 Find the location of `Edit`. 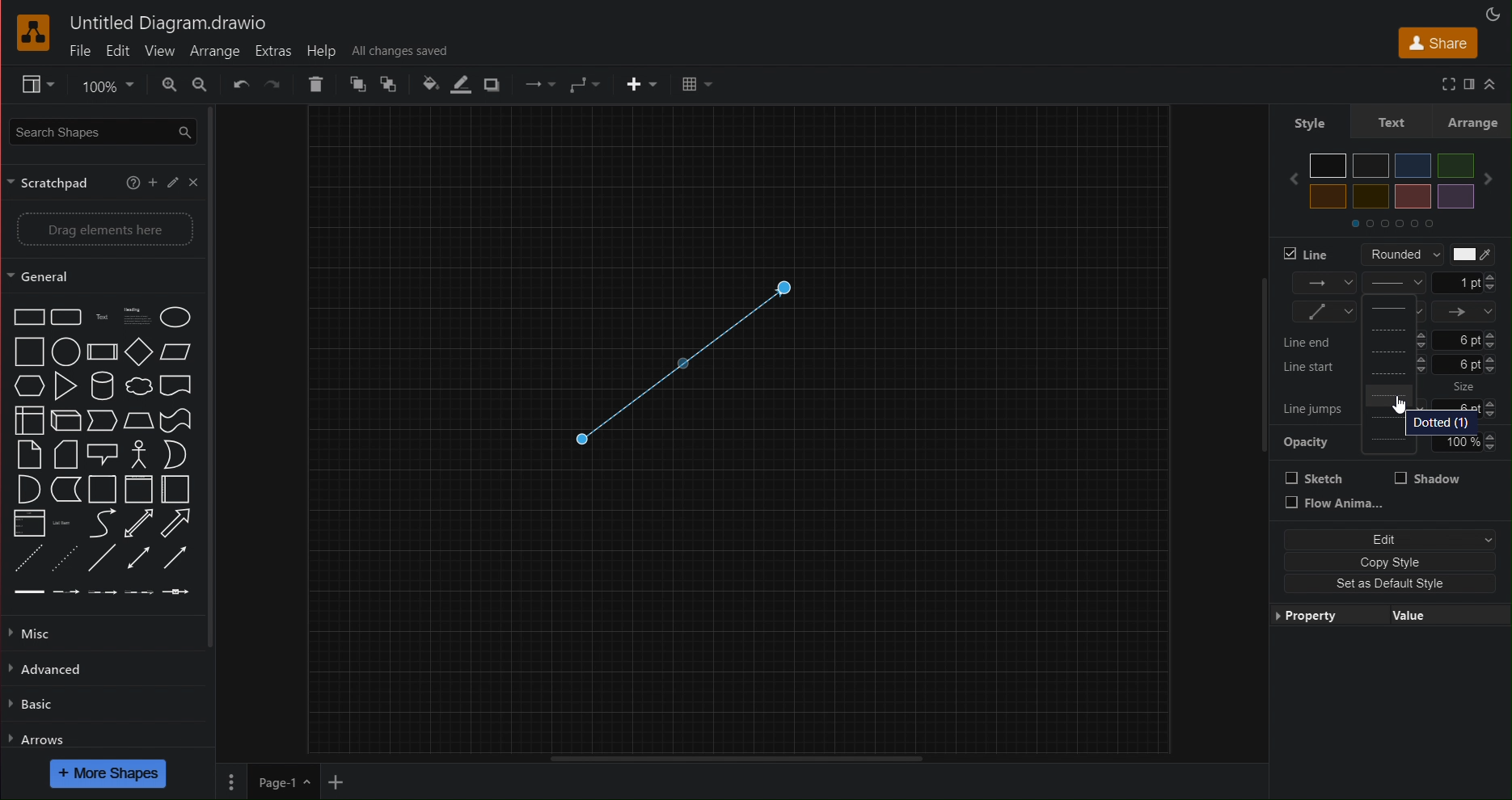

Edit is located at coordinates (171, 181).